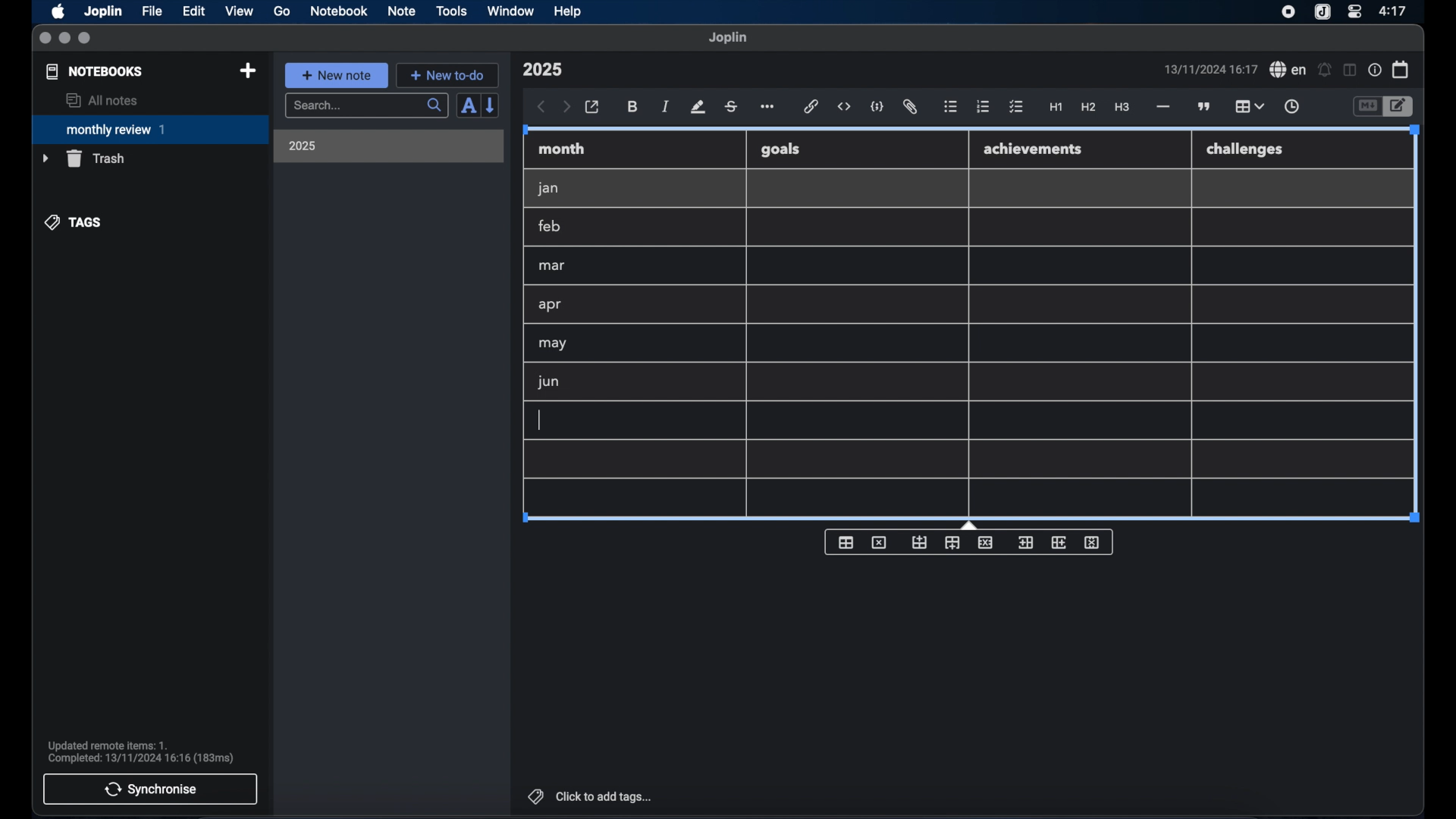  I want to click on highlight, so click(698, 107).